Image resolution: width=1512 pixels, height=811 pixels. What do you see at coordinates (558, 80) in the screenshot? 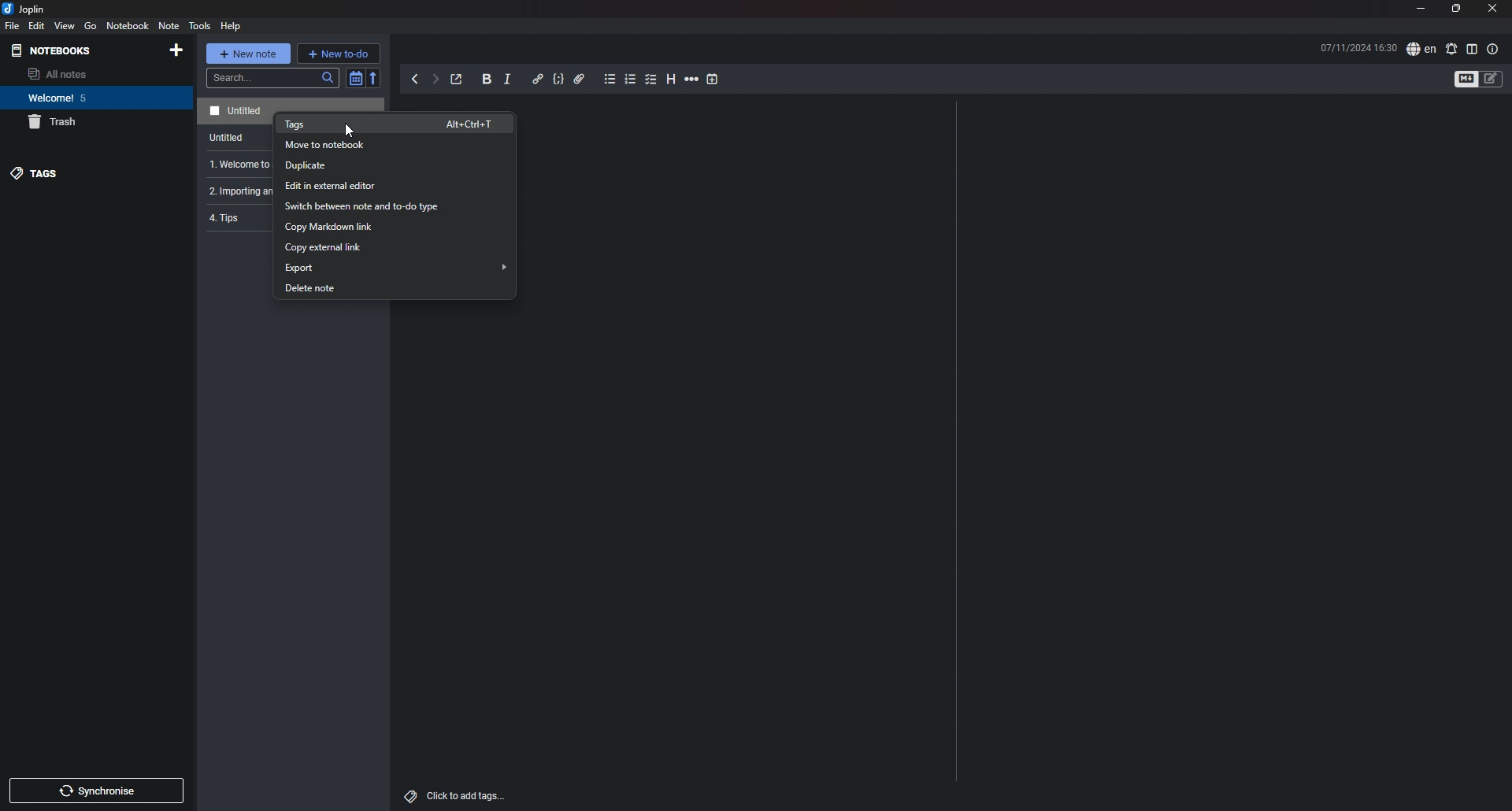
I see `code` at bounding box center [558, 80].